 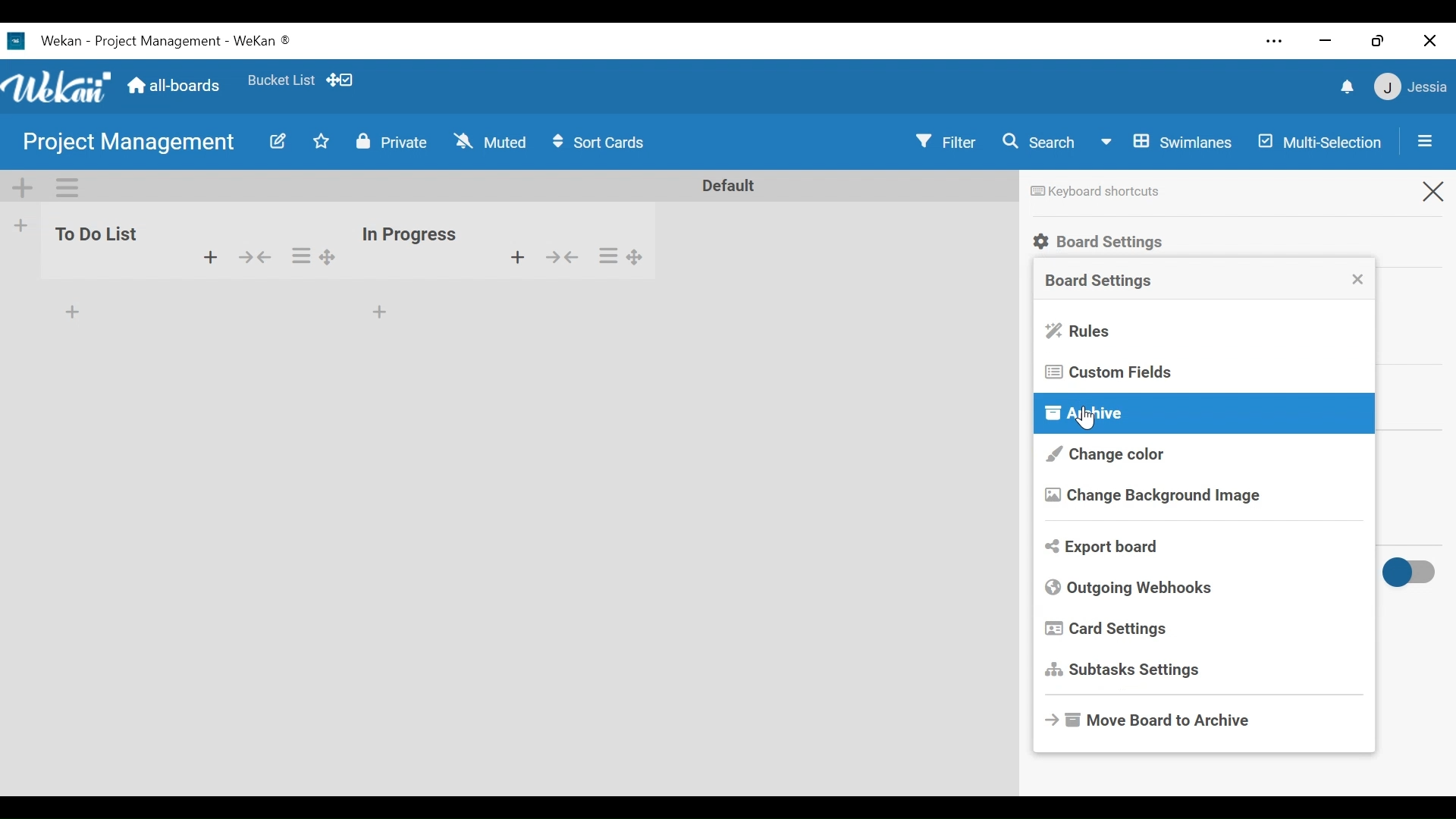 What do you see at coordinates (946, 142) in the screenshot?
I see `Filter` at bounding box center [946, 142].